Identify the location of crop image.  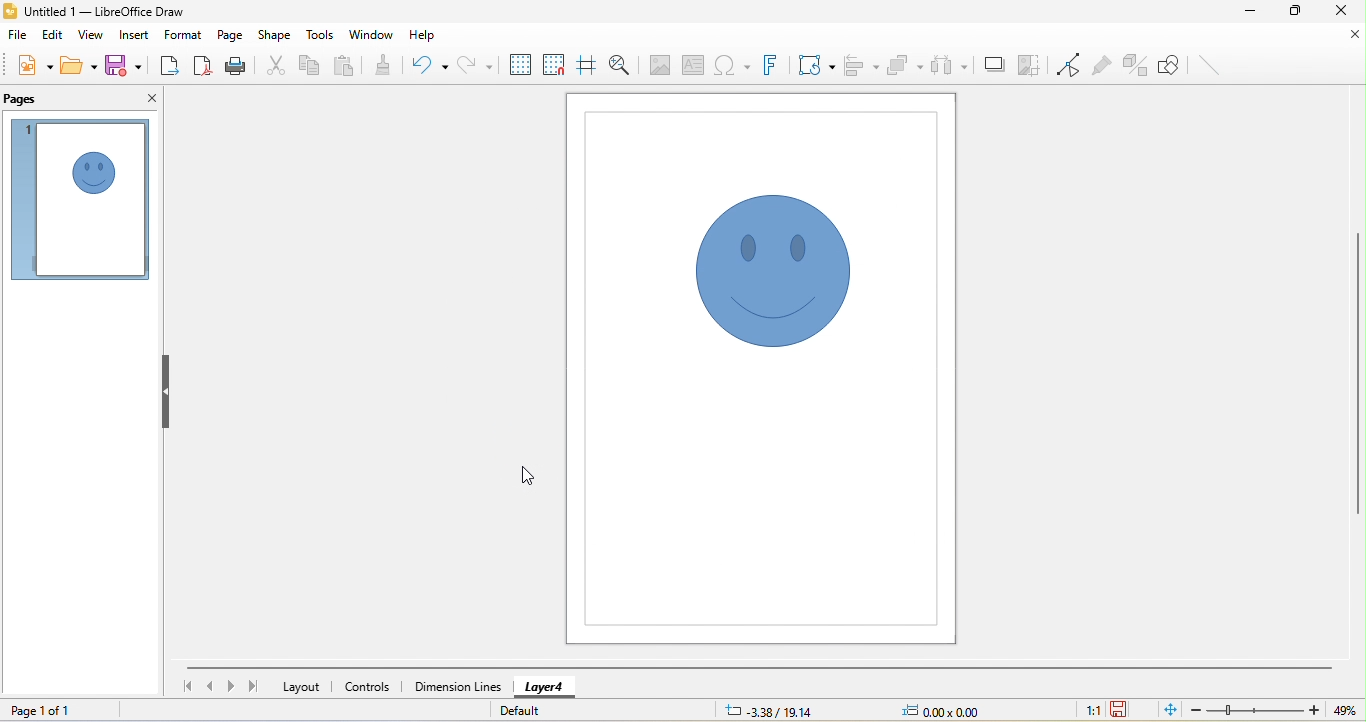
(1030, 63).